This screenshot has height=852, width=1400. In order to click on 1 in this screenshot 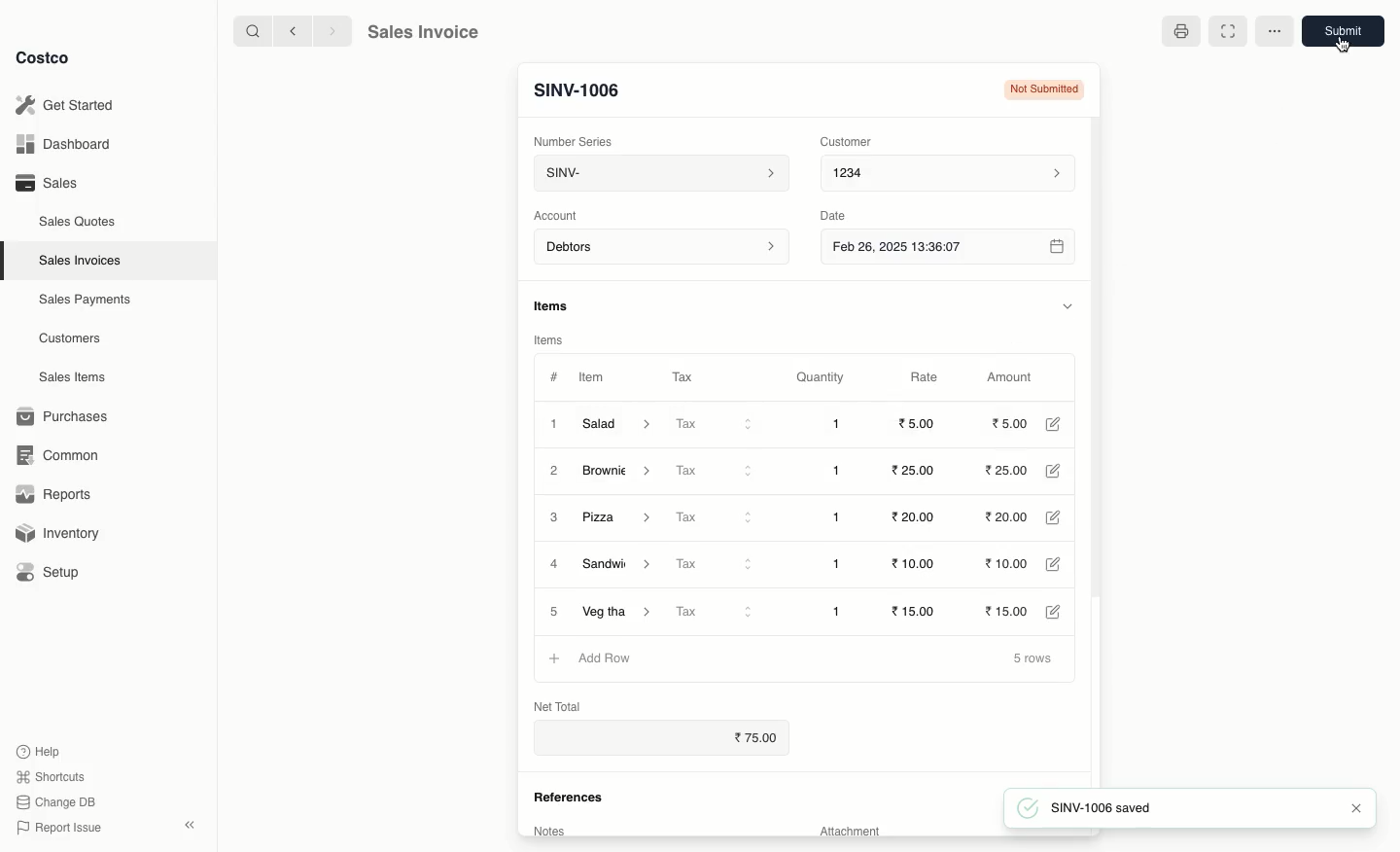, I will do `click(837, 567)`.